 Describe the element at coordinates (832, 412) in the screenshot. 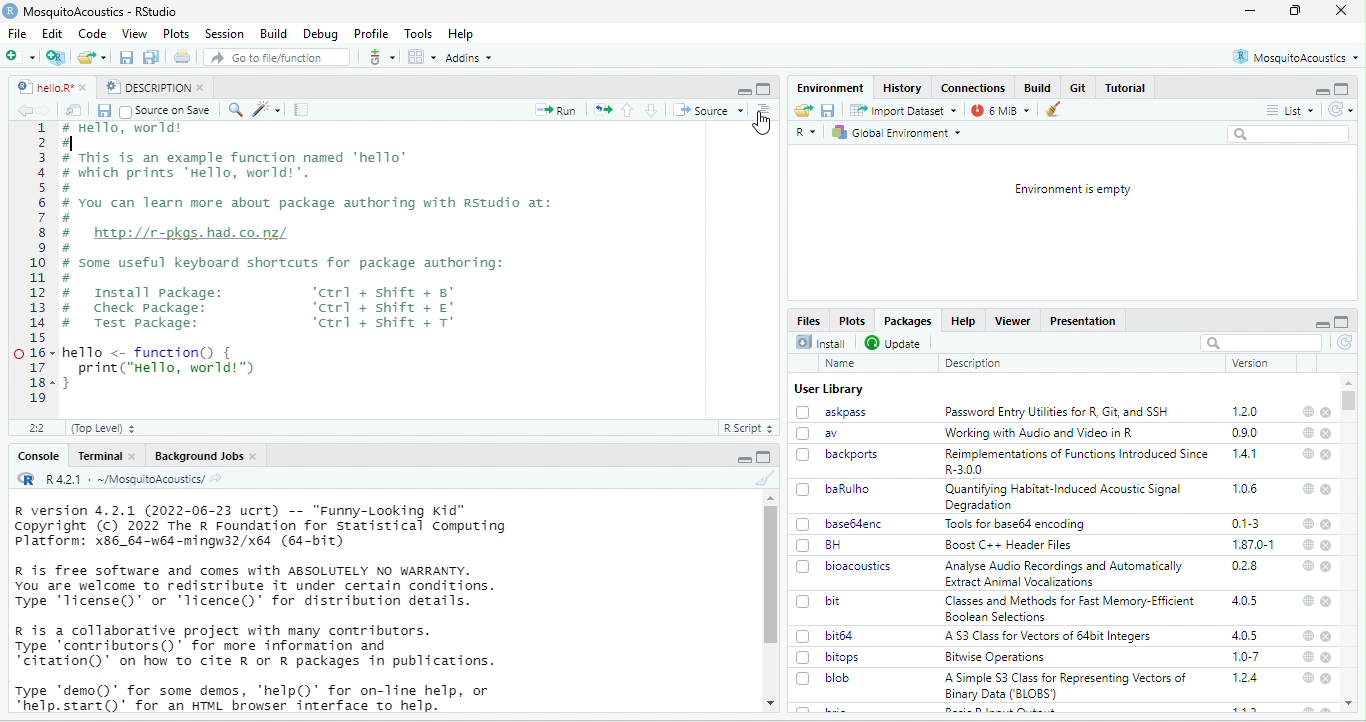

I see `askpass` at that location.